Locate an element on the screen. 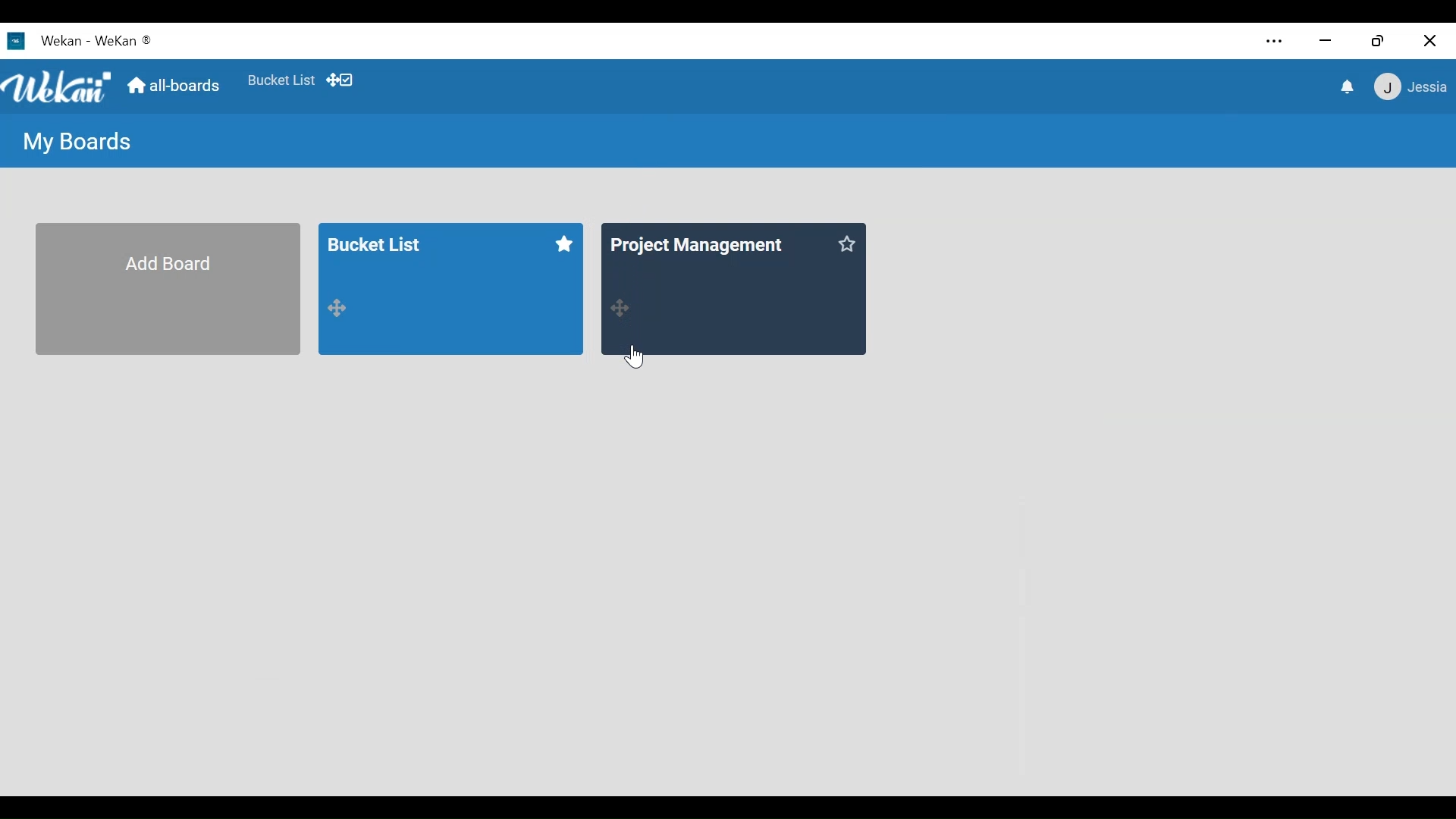 Image resolution: width=1456 pixels, height=819 pixels. Restore is located at coordinates (1378, 40).